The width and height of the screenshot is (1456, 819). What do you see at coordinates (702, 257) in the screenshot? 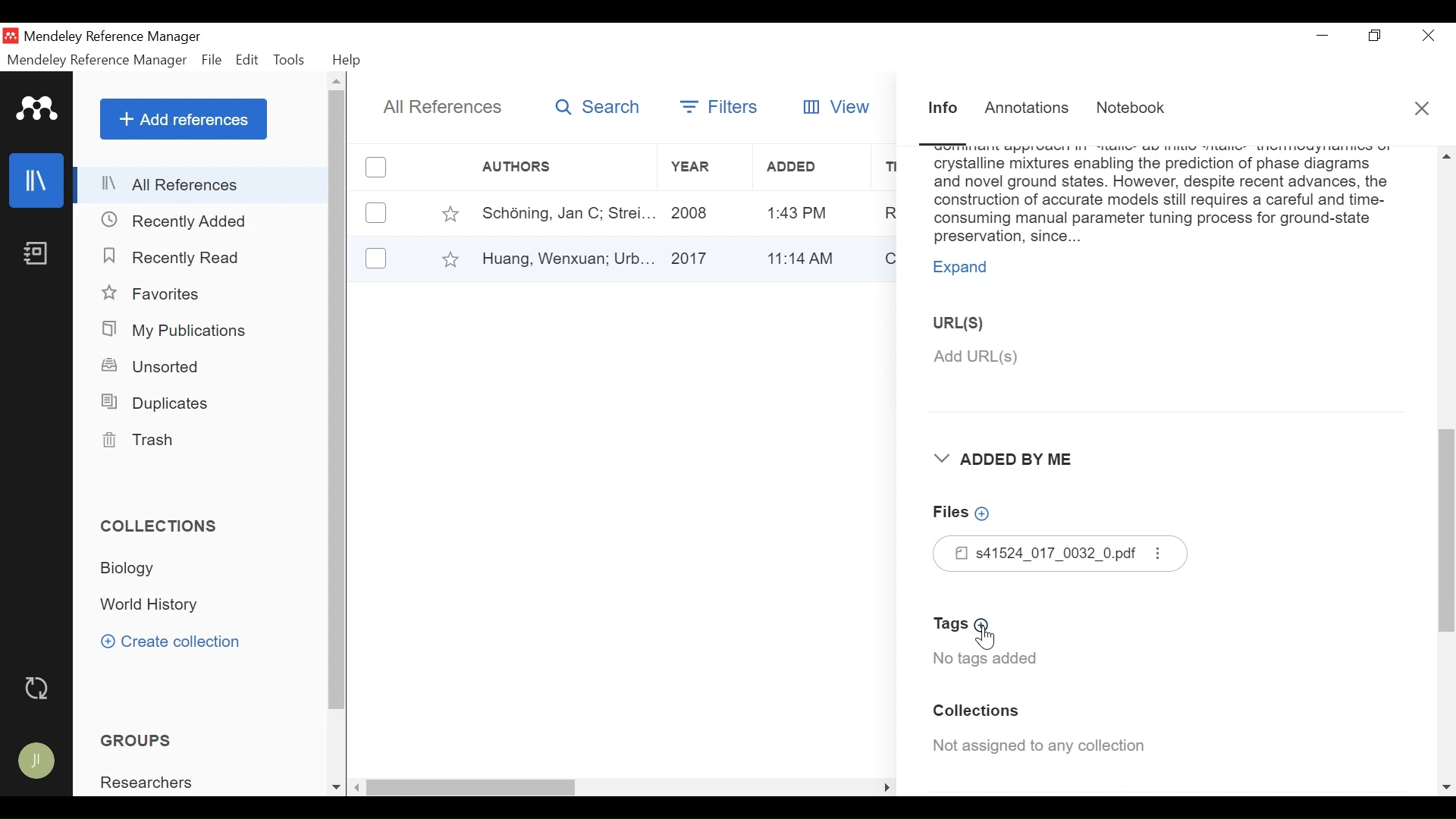
I see `Year` at bounding box center [702, 257].